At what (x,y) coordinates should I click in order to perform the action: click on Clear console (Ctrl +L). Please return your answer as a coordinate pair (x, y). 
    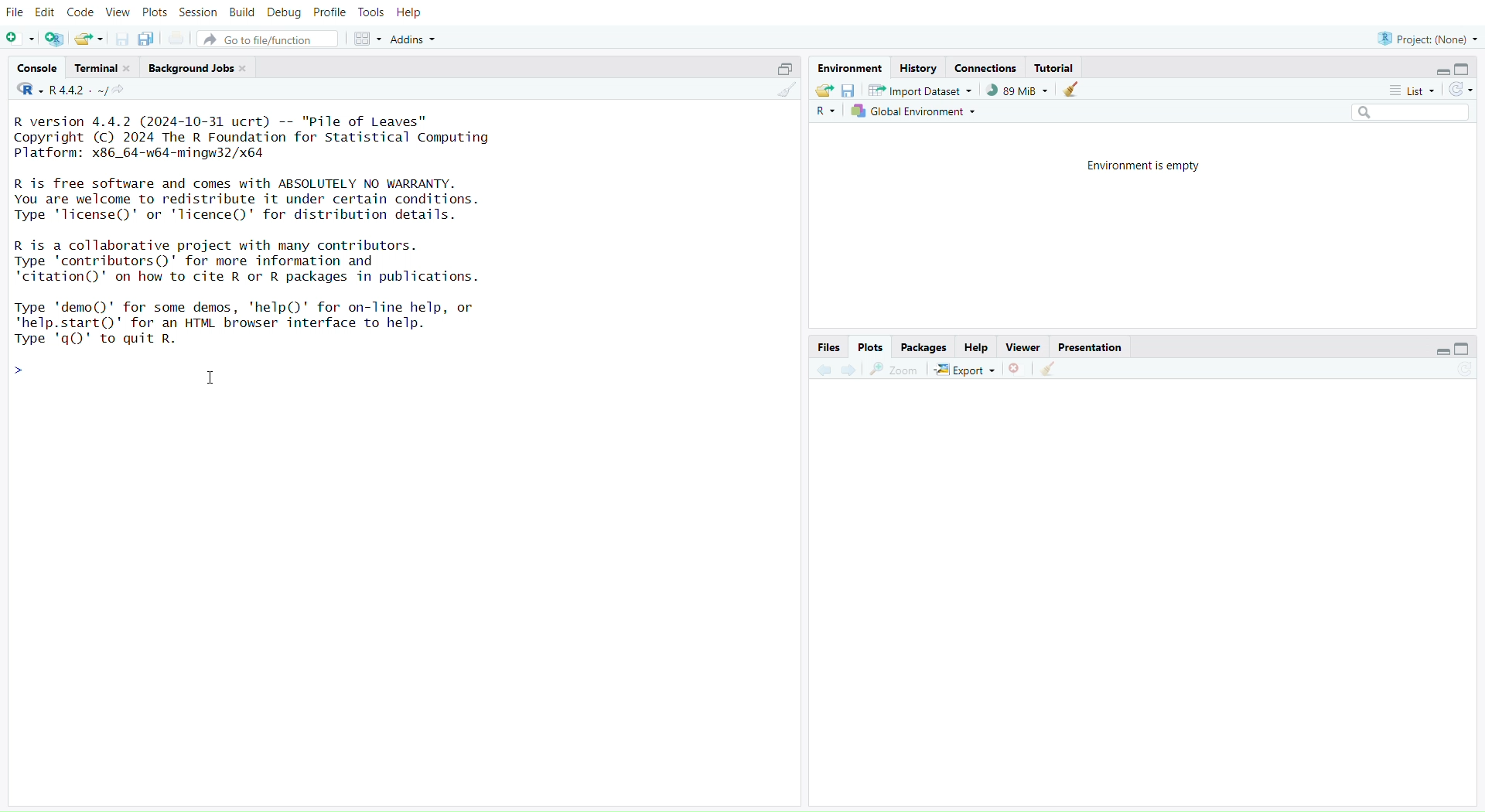
    Looking at the image, I should click on (1053, 368).